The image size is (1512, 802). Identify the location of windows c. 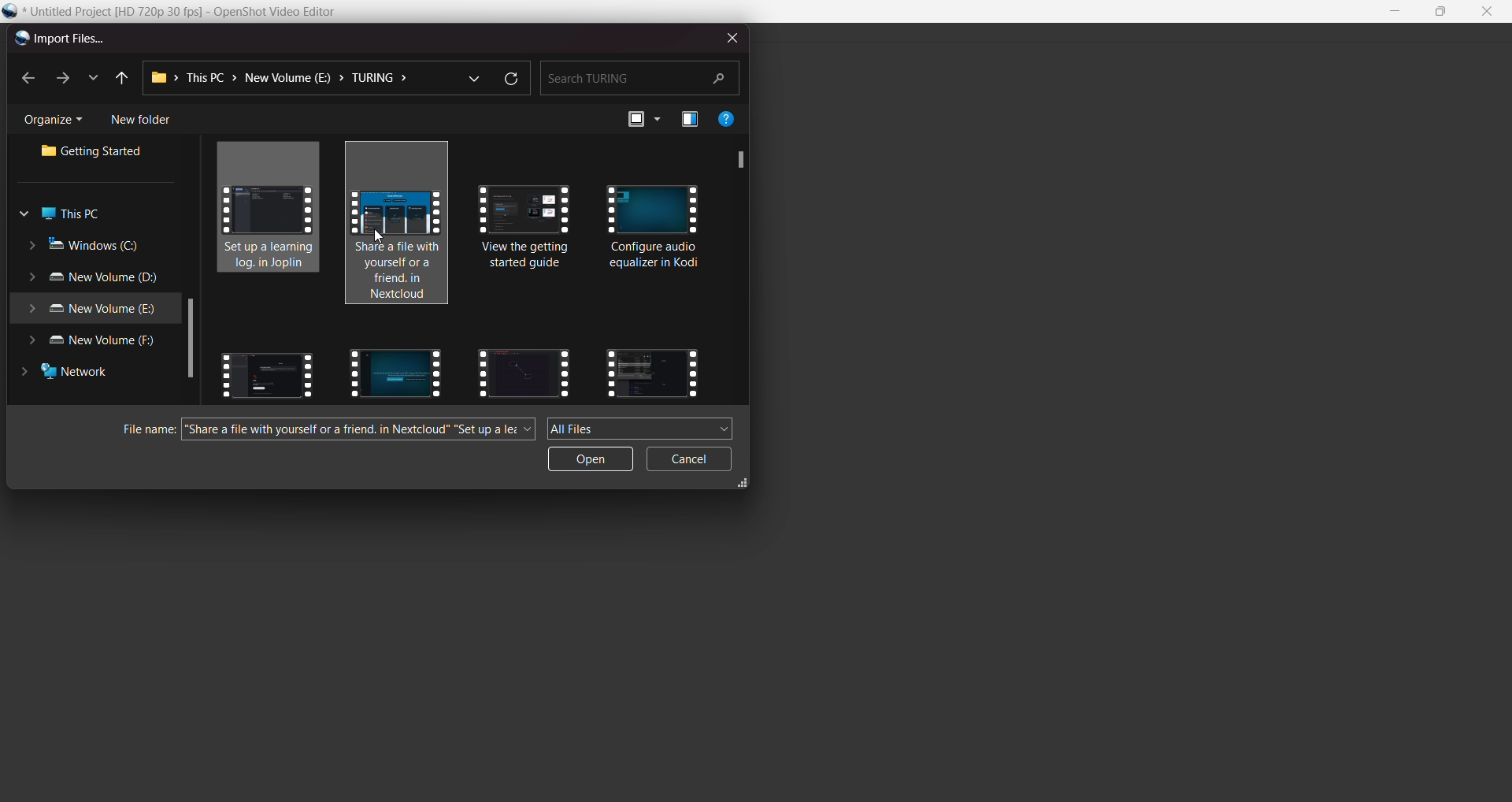
(87, 246).